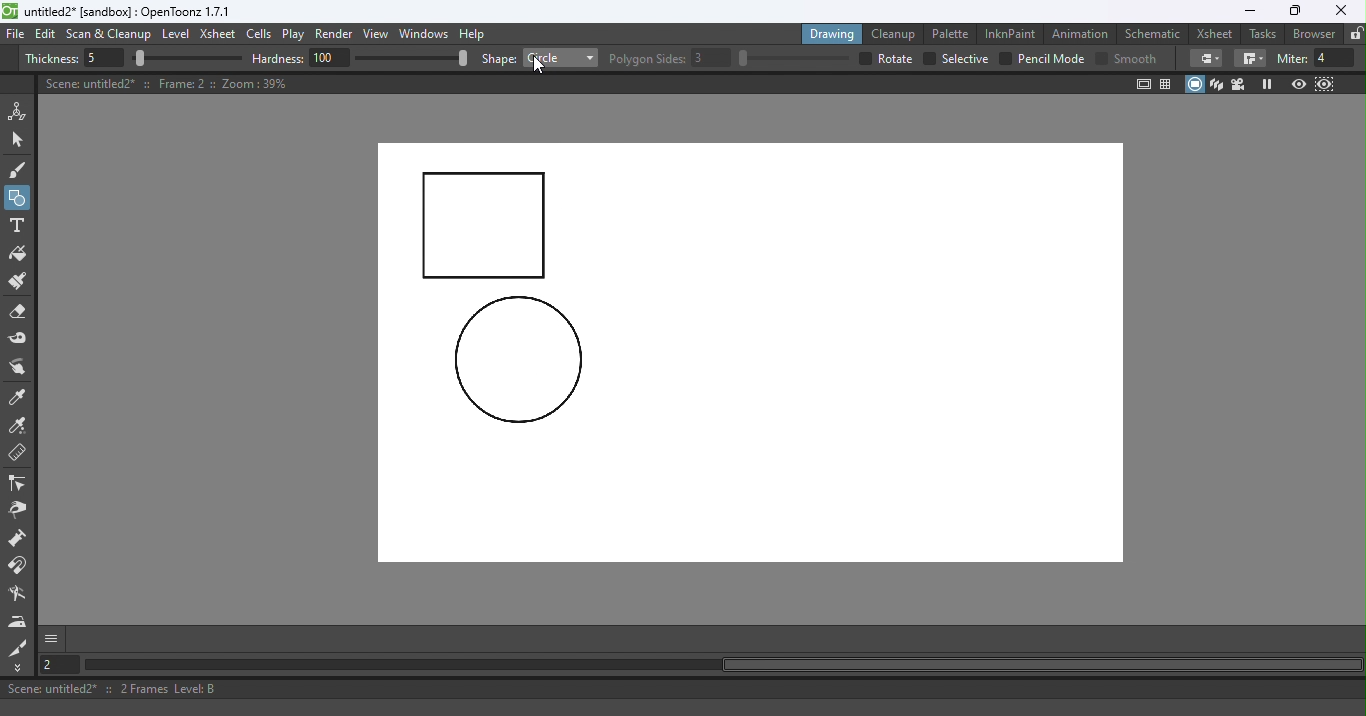 This screenshot has width=1366, height=716. Describe the element at coordinates (330, 57) in the screenshot. I see `100` at that location.